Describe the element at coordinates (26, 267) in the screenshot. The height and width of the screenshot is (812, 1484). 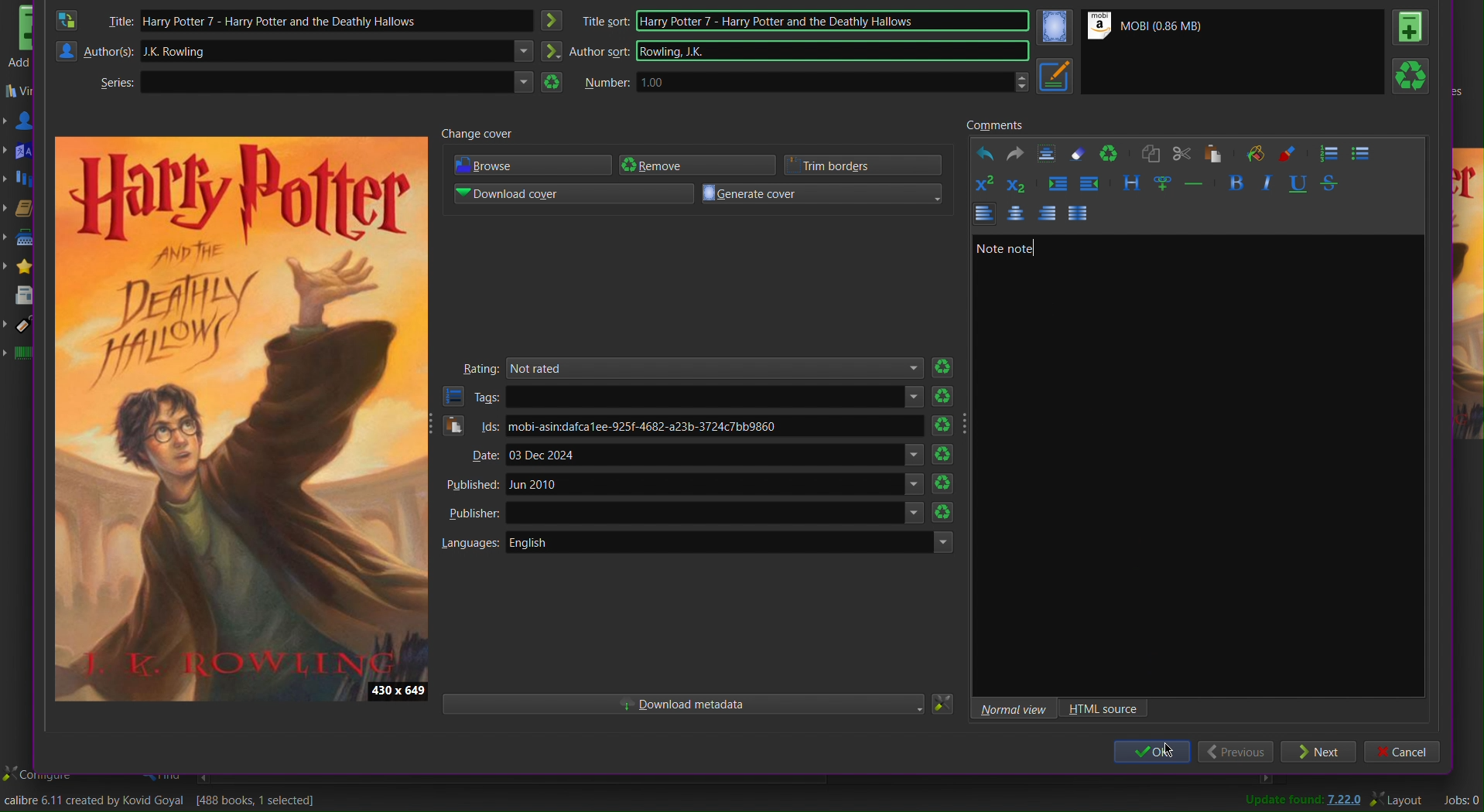
I see `Rating` at that location.